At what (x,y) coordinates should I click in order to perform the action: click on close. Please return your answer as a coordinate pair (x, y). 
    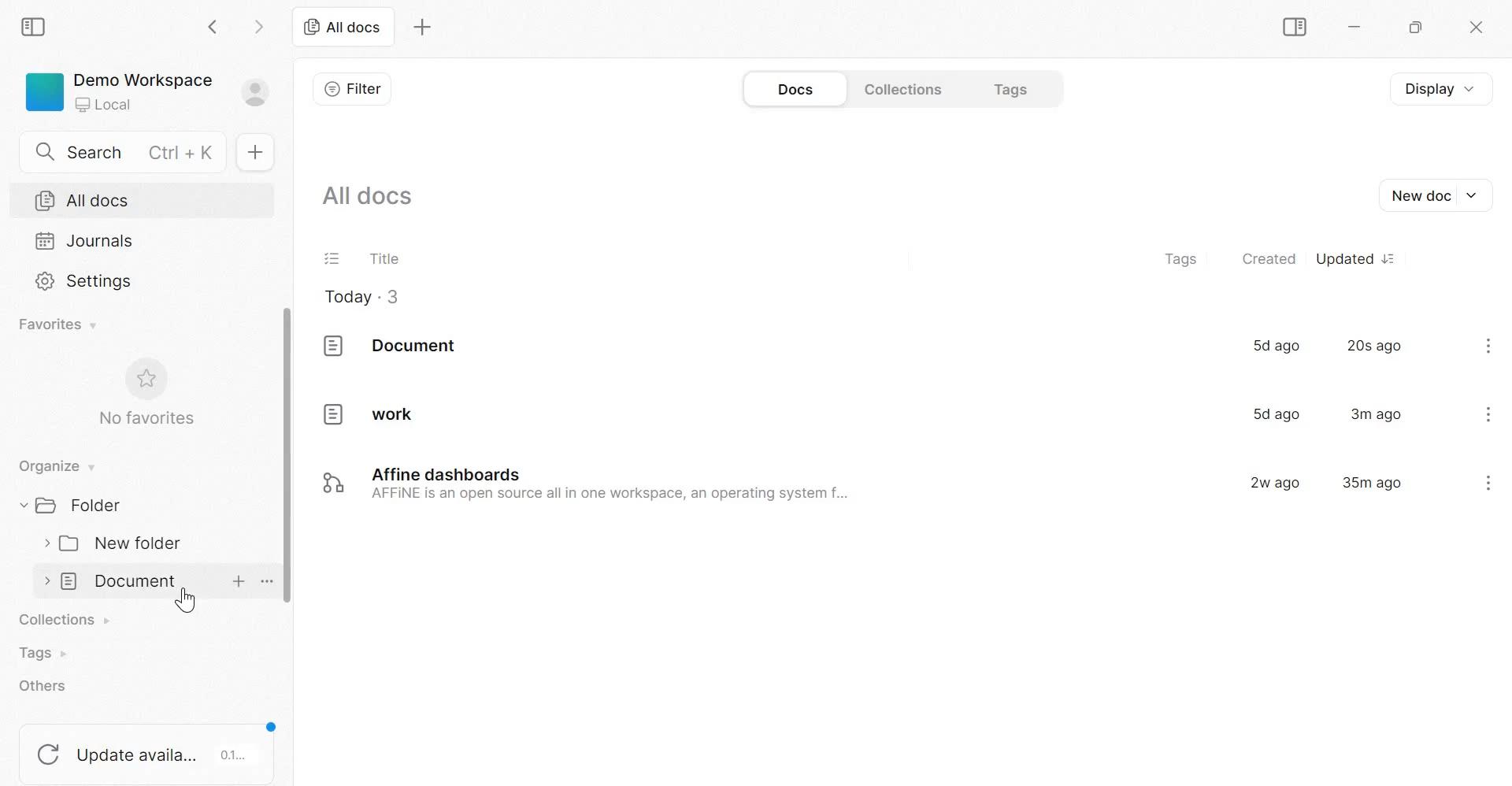
    Looking at the image, I should click on (1477, 28).